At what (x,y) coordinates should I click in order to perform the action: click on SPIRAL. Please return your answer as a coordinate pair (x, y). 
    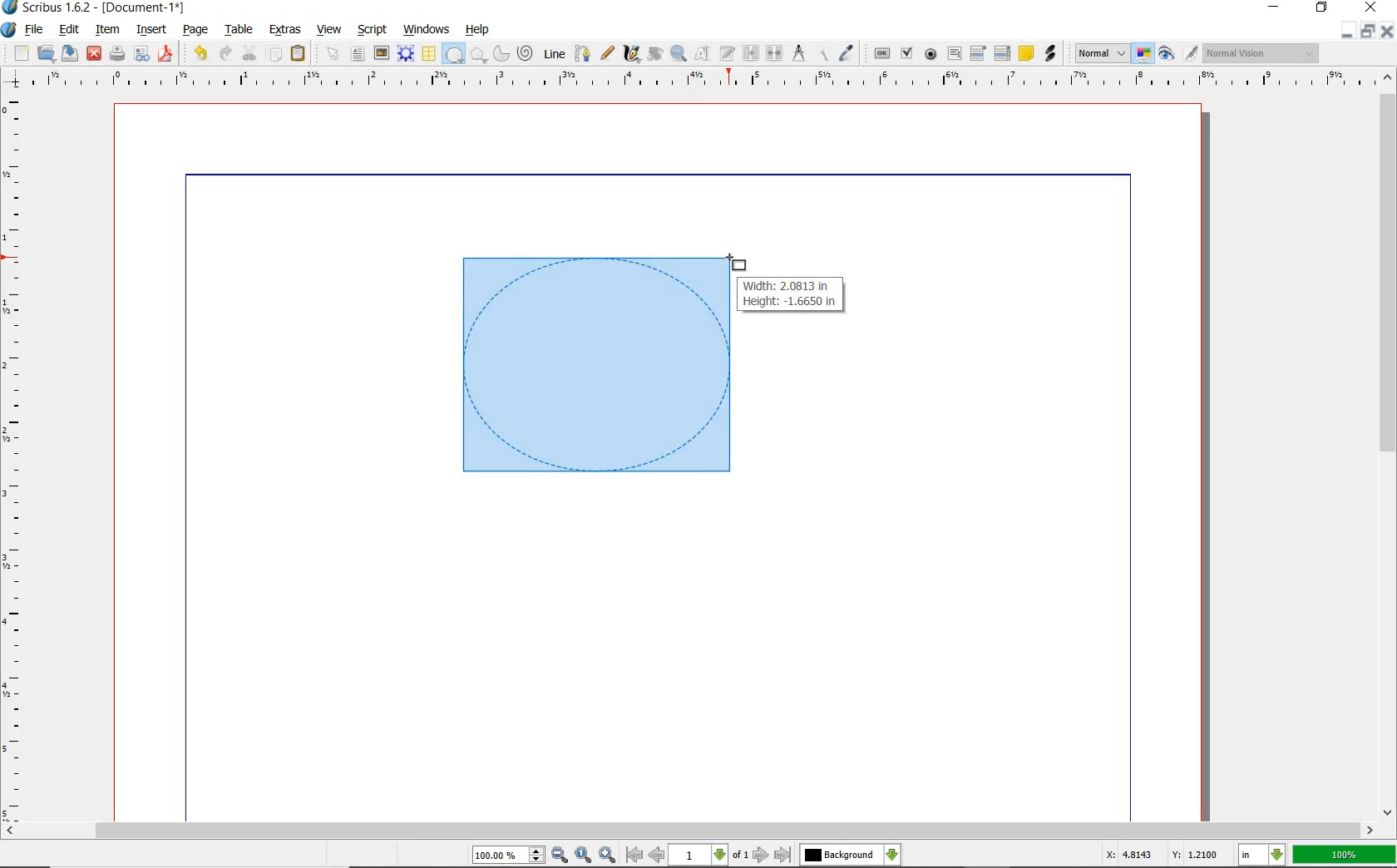
    Looking at the image, I should click on (524, 54).